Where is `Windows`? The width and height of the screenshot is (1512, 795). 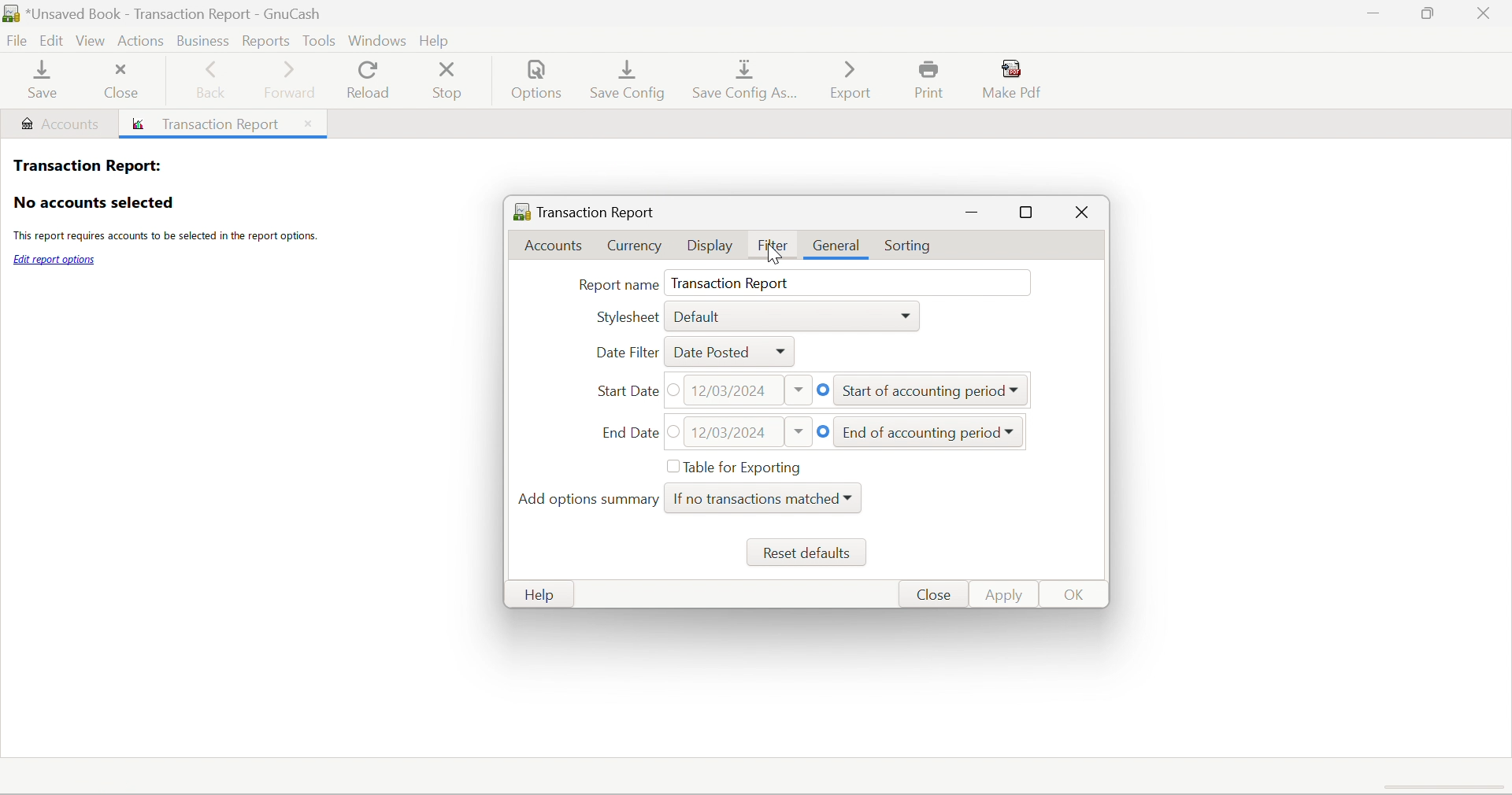
Windows is located at coordinates (376, 39).